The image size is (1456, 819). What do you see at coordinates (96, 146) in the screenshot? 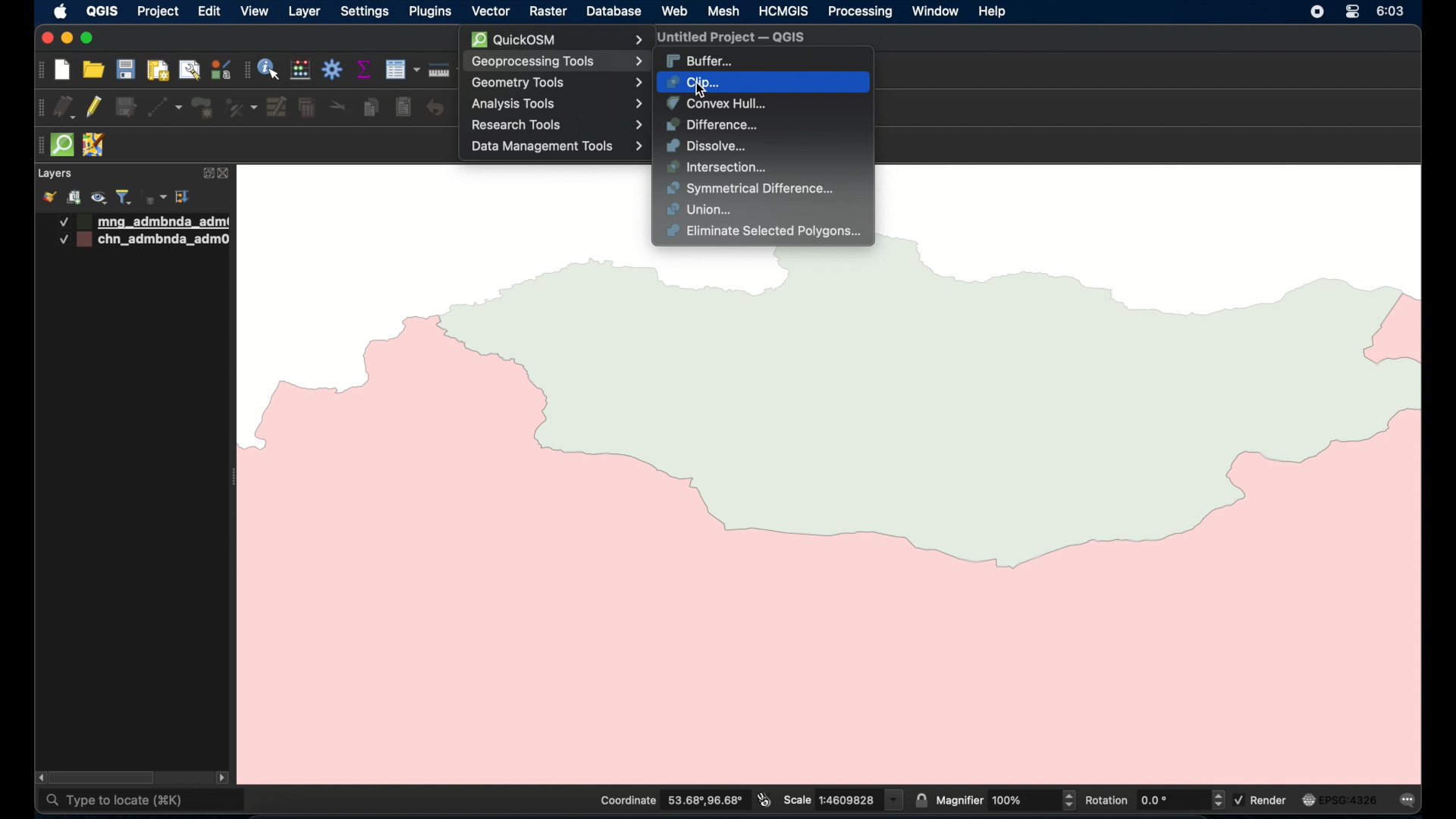
I see `jsom remote` at bounding box center [96, 146].